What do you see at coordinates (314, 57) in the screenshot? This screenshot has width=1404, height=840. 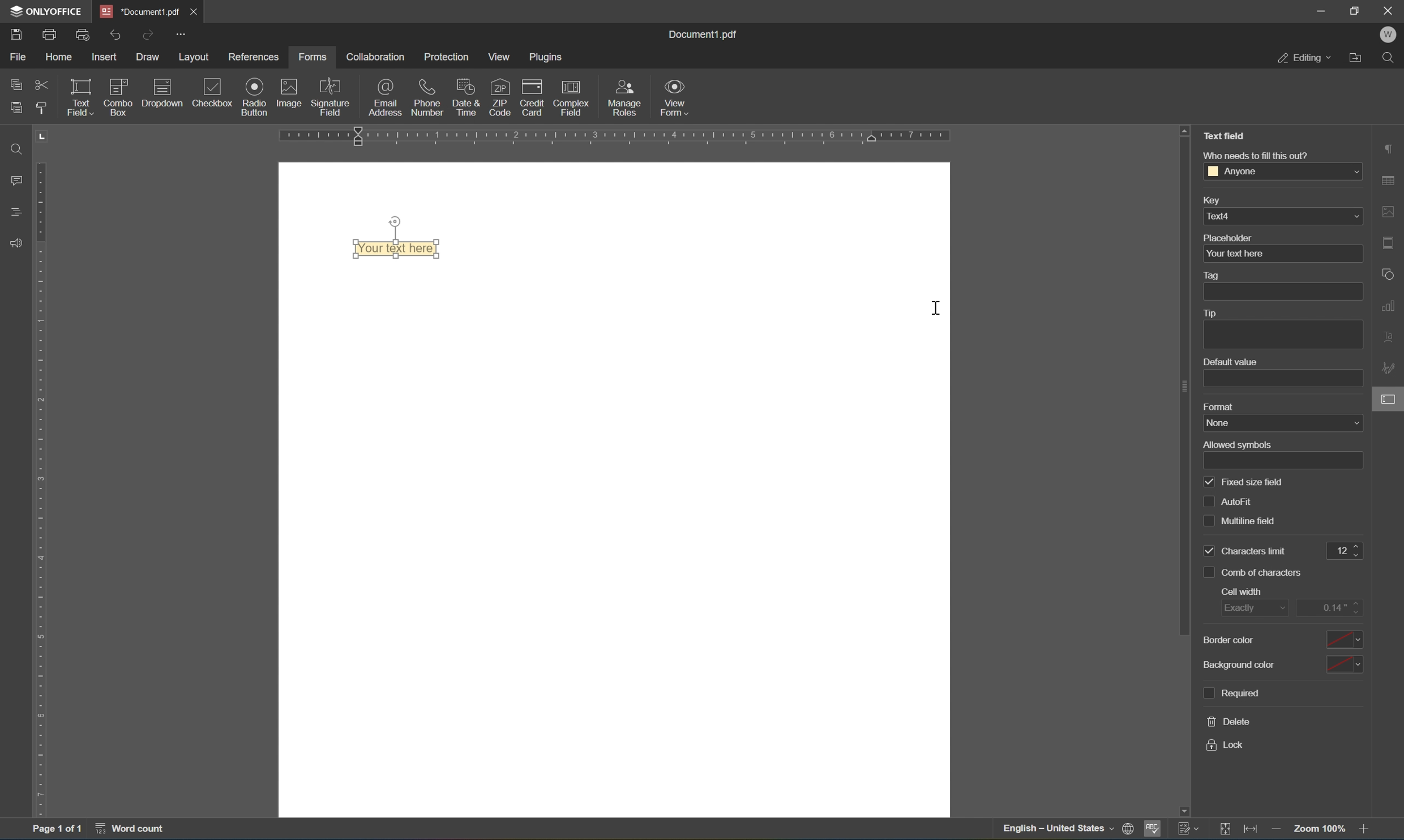 I see `forms` at bounding box center [314, 57].